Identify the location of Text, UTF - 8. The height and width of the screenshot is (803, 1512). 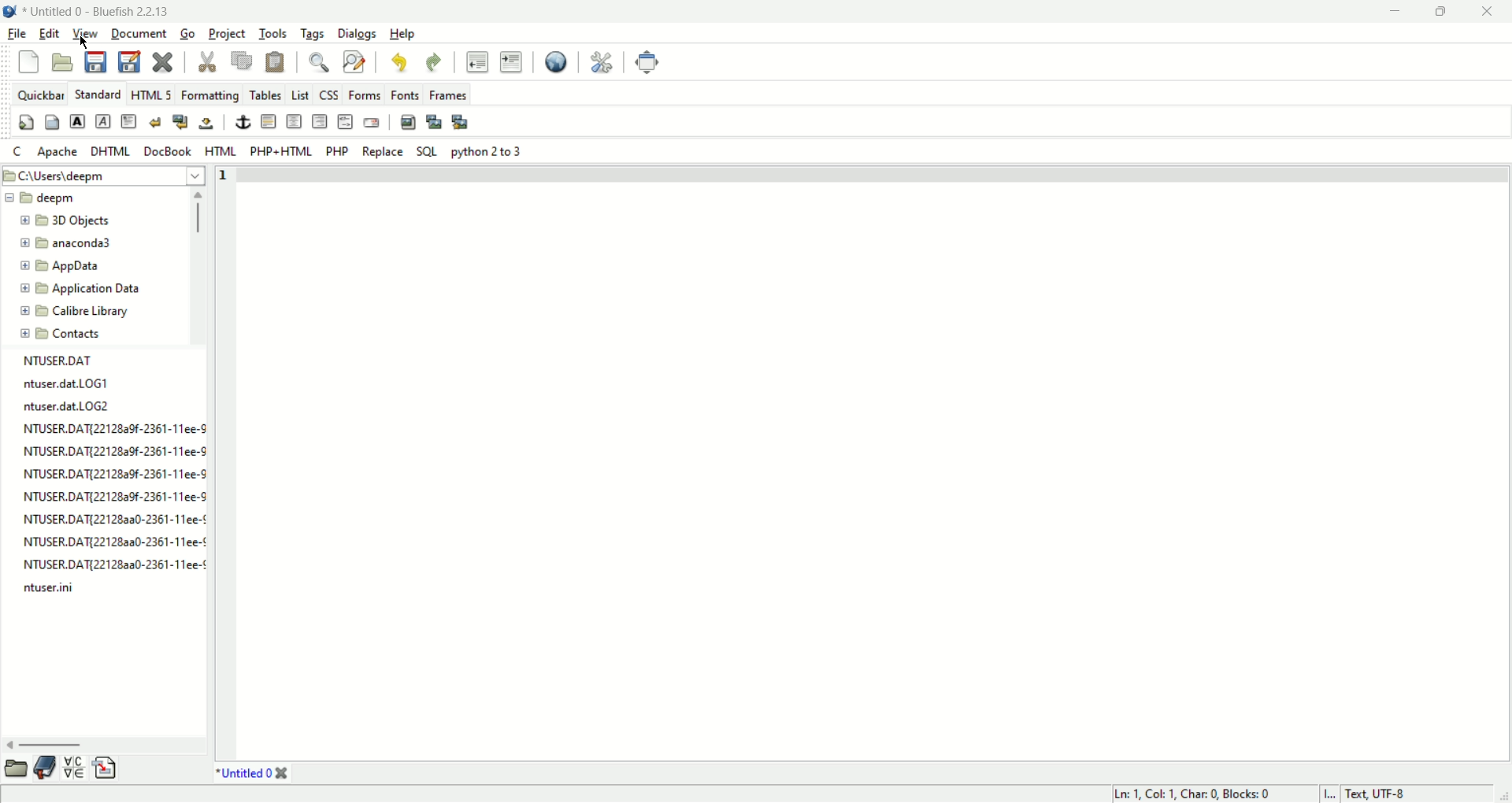
(1380, 794).